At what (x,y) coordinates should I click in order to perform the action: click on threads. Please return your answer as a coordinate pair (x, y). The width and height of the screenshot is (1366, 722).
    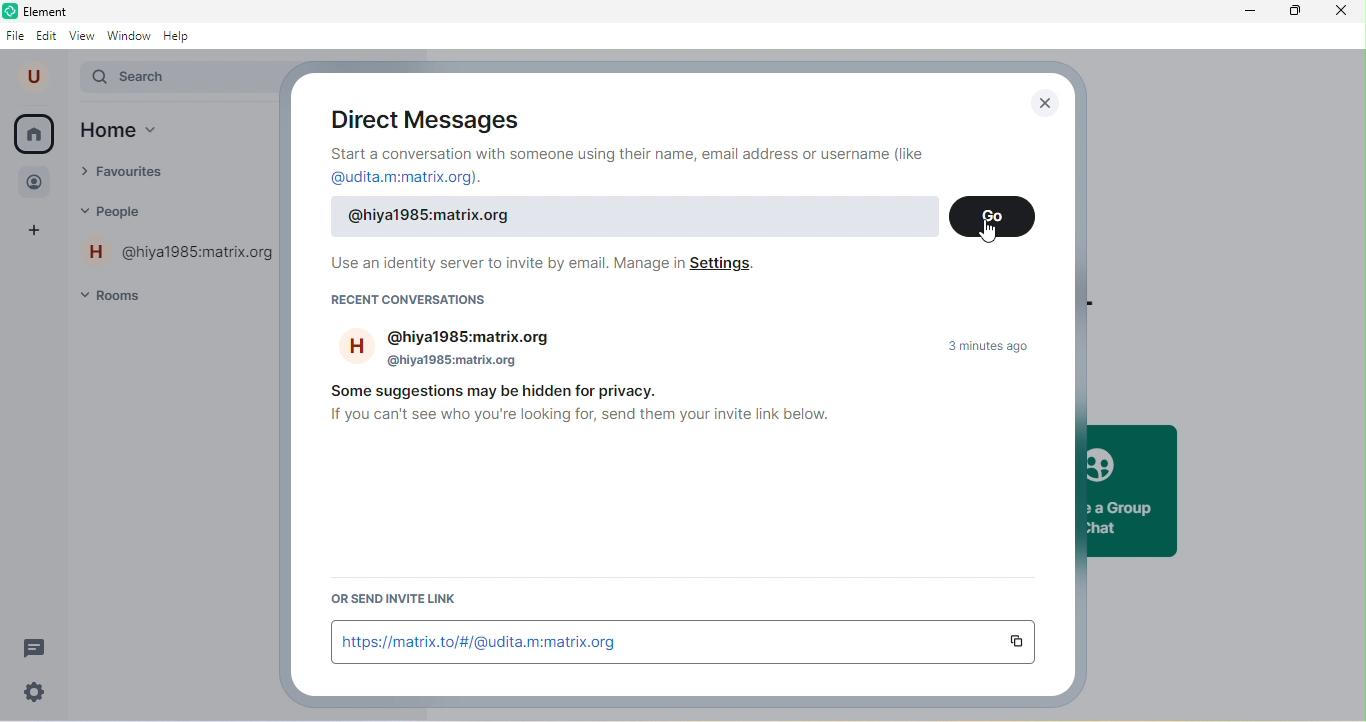
    Looking at the image, I should click on (36, 647).